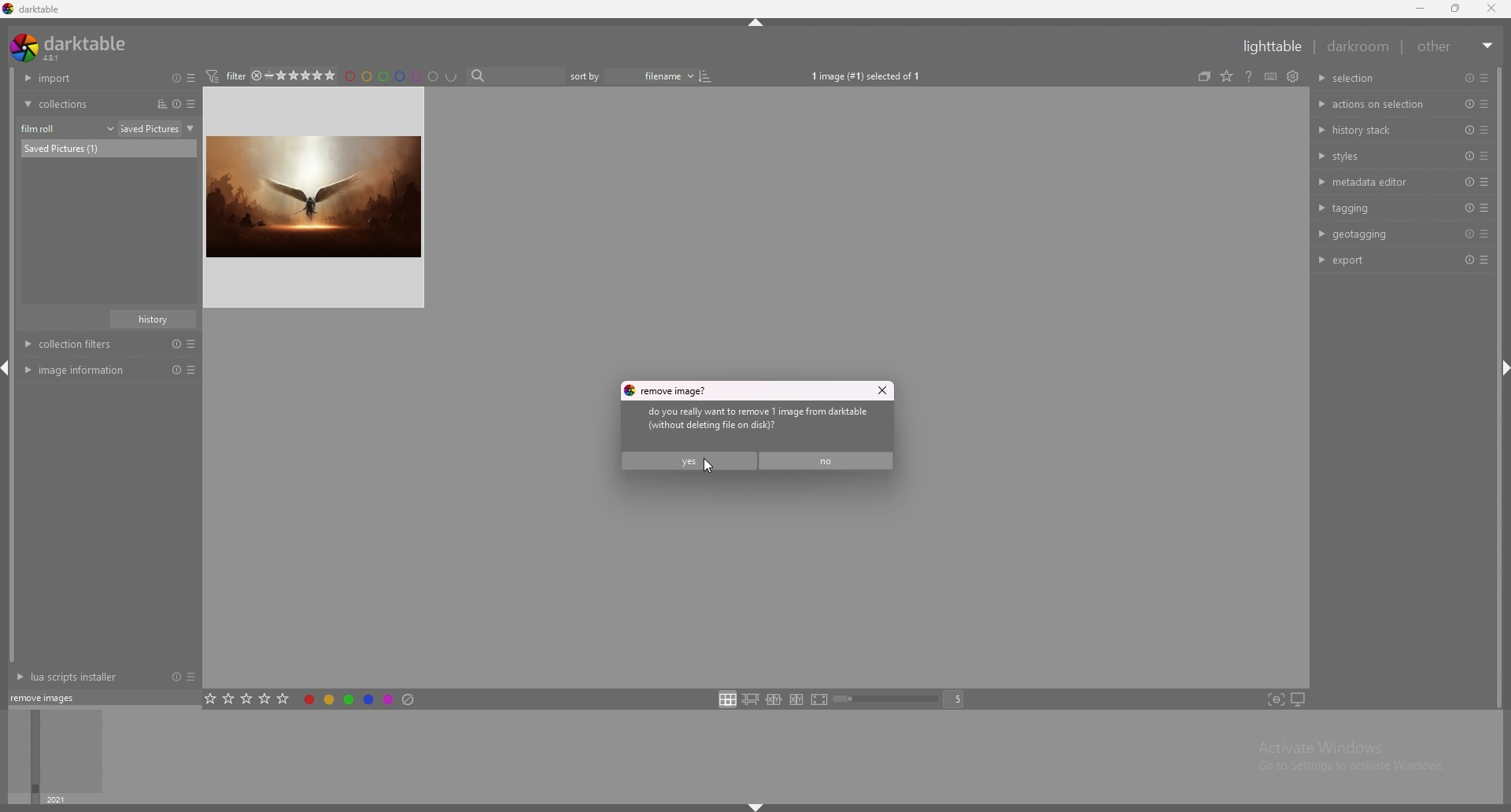 The width and height of the screenshot is (1511, 812). Describe the element at coordinates (112, 345) in the screenshot. I see `Collection filters` at that location.